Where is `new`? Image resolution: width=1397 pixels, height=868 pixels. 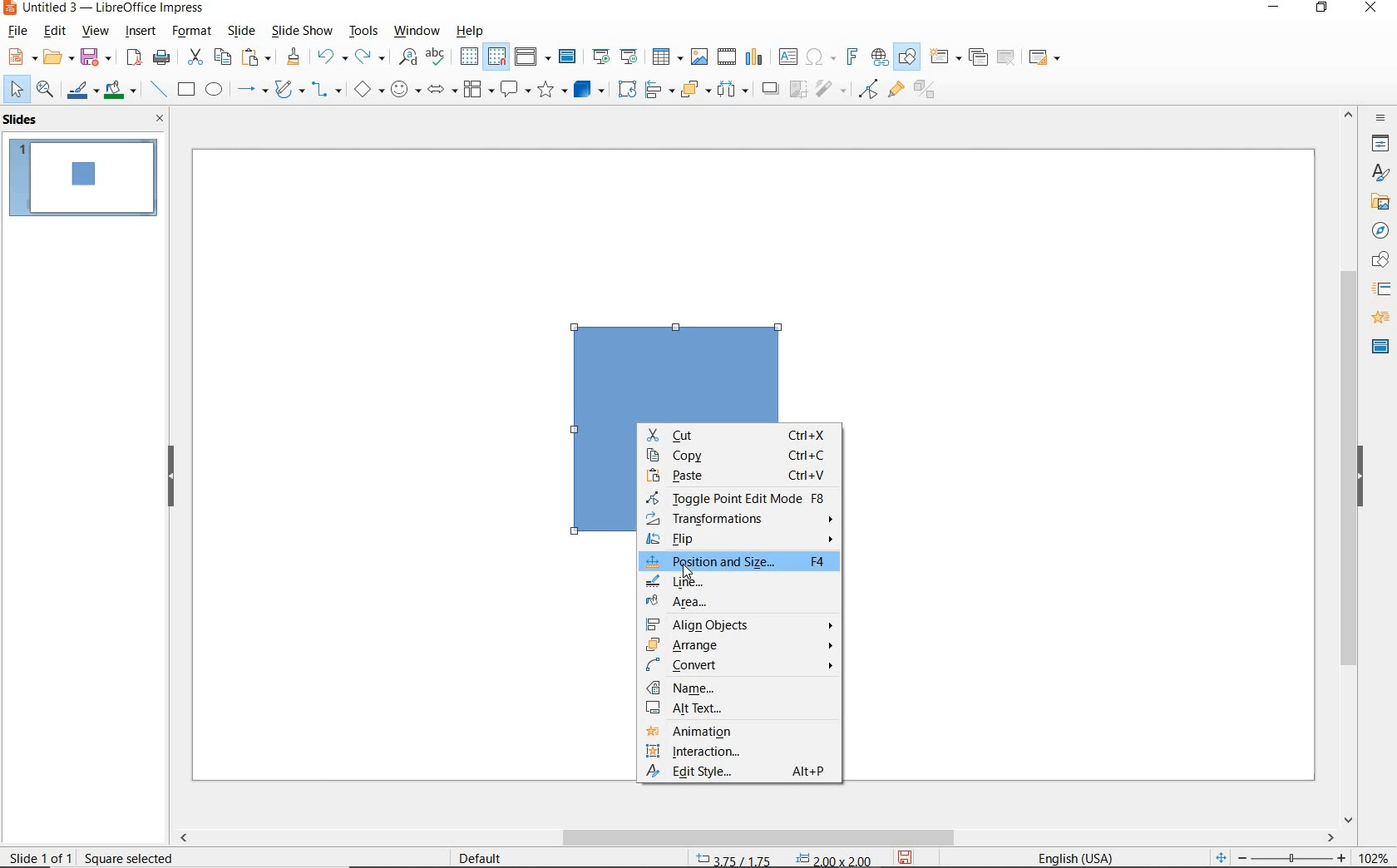 new is located at coordinates (15, 59).